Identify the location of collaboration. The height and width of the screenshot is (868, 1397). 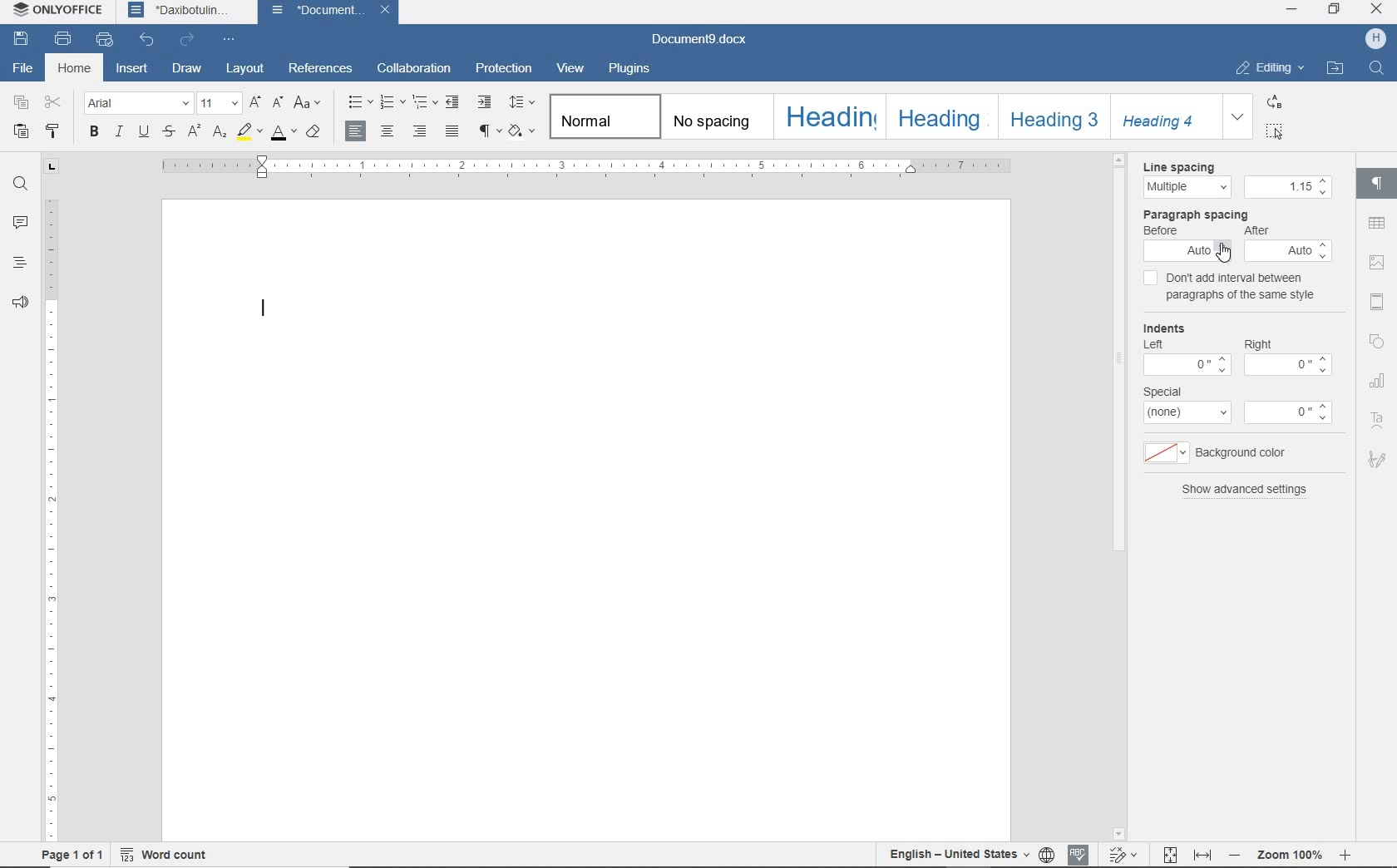
(415, 70).